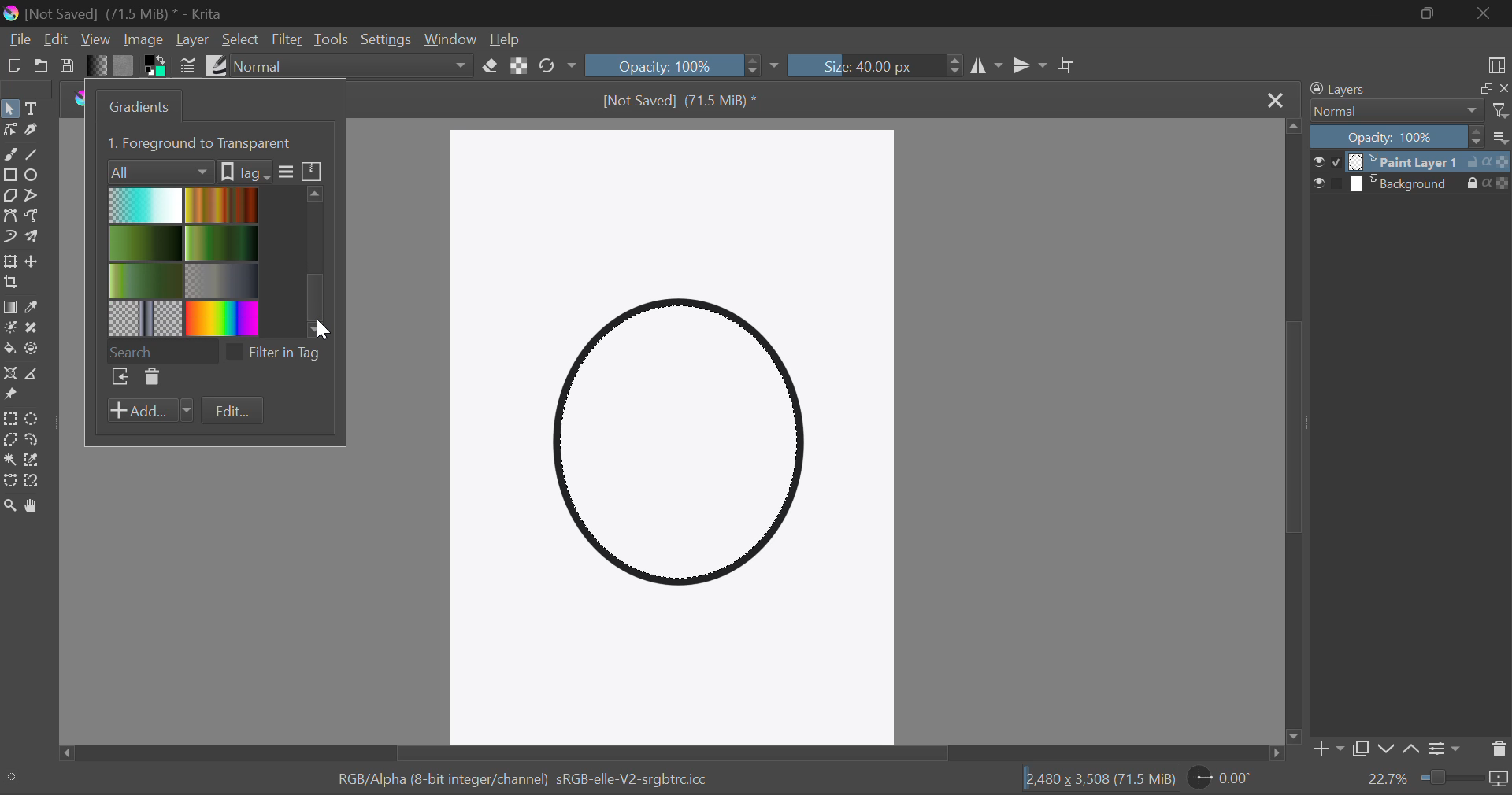 The height and width of the screenshot is (795, 1512). I want to click on Edit Shapes, so click(9, 131).